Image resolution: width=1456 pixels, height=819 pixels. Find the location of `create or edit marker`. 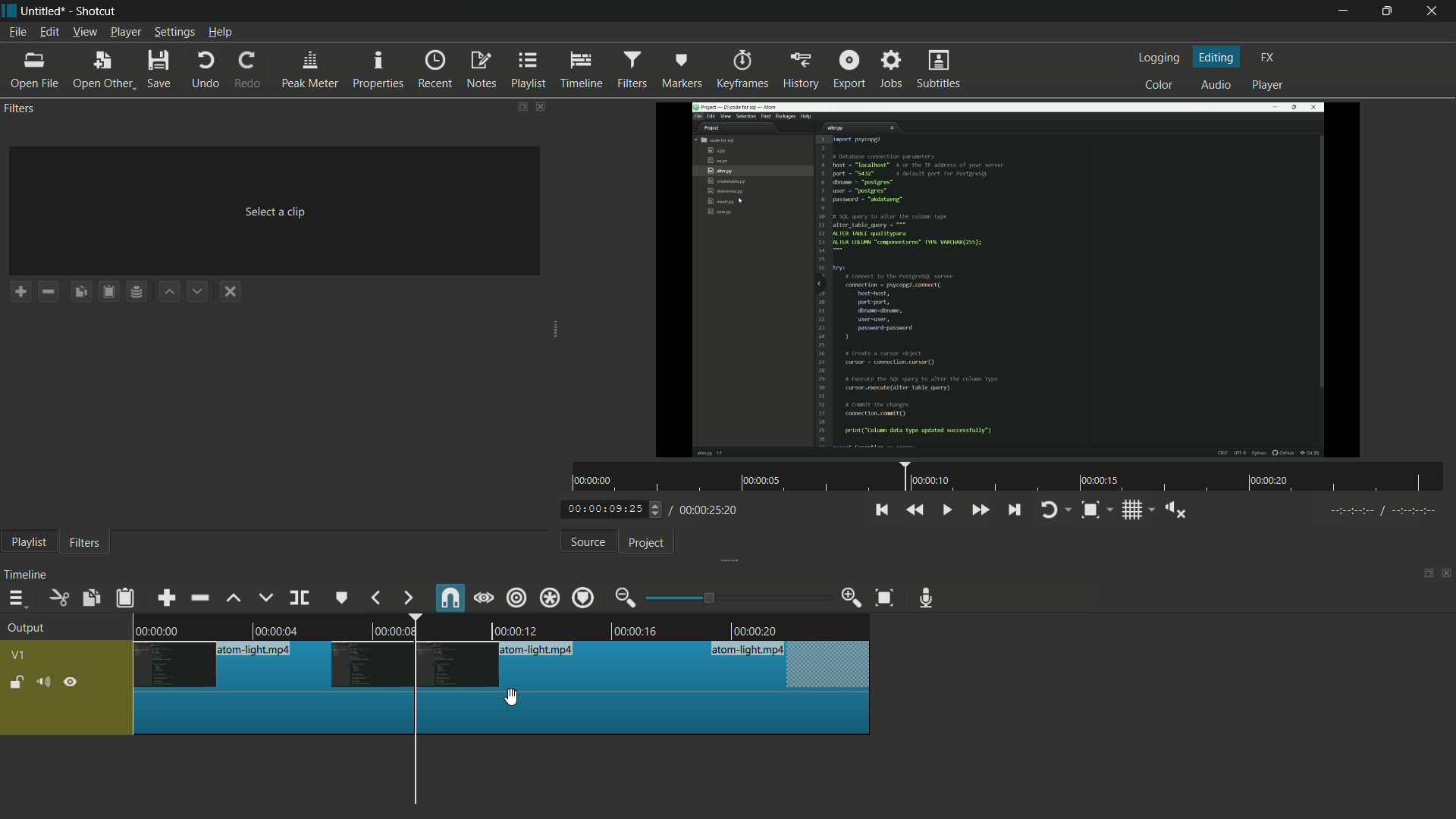

create or edit marker is located at coordinates (342, 599).